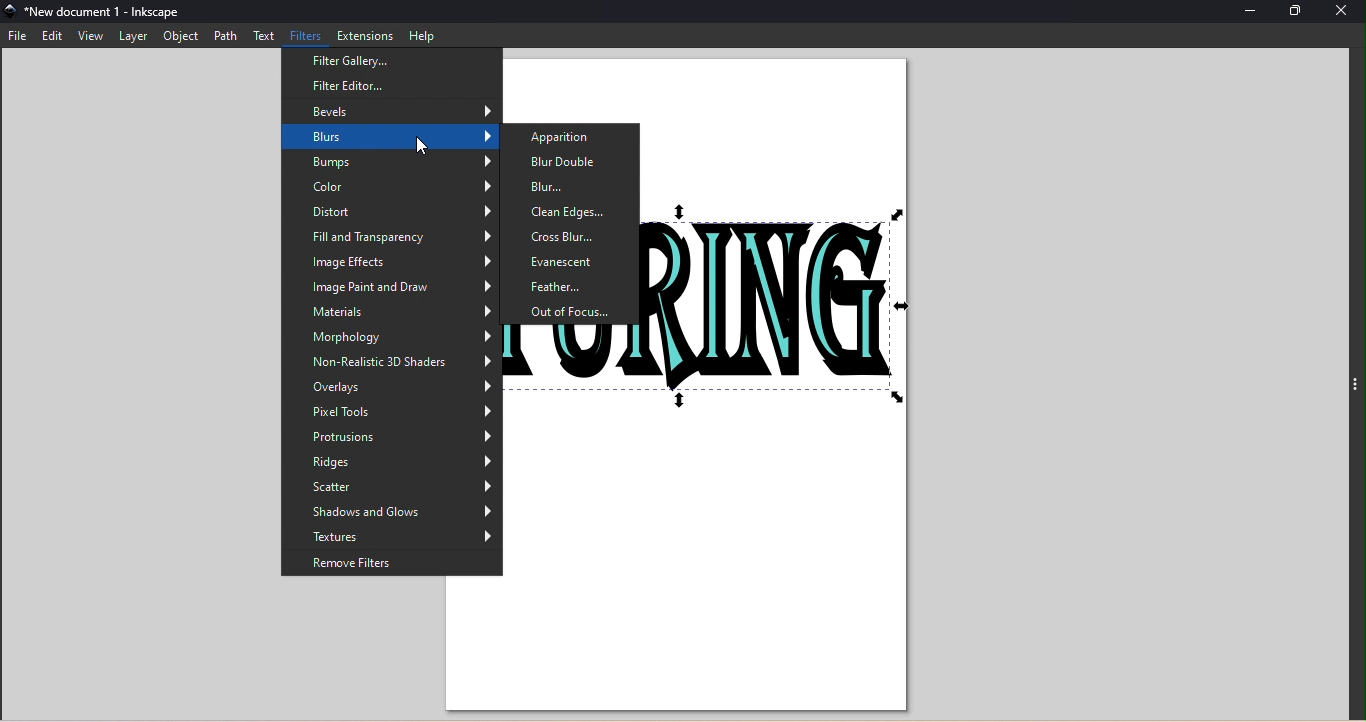 The width and height of the screenshot is (1366, 722). Describe the element at coordinates (393, 513) in the screenshot. I see `Shadows and glows` at that location.